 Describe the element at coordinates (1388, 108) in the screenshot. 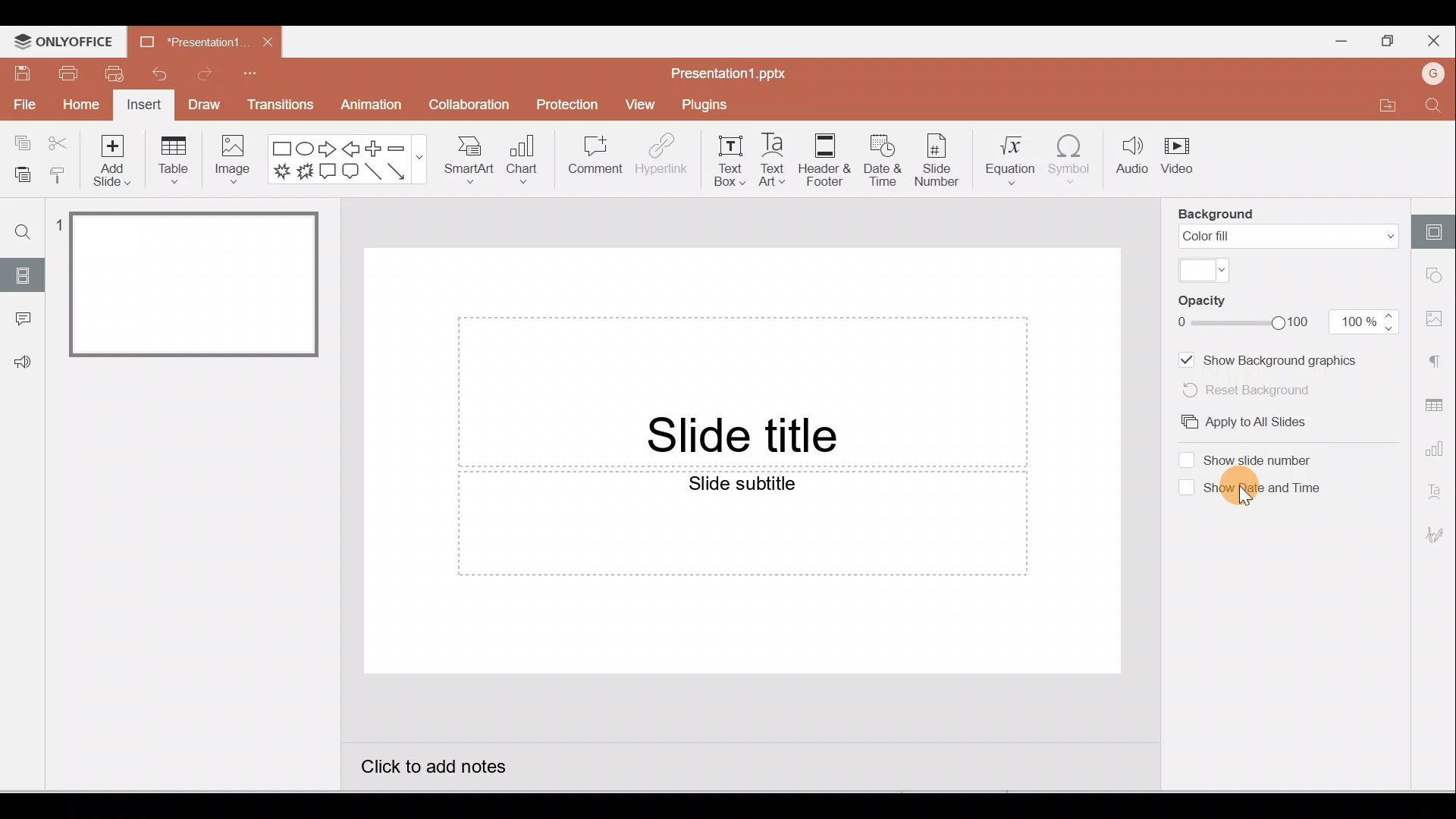

I see `Open file location` at that location.